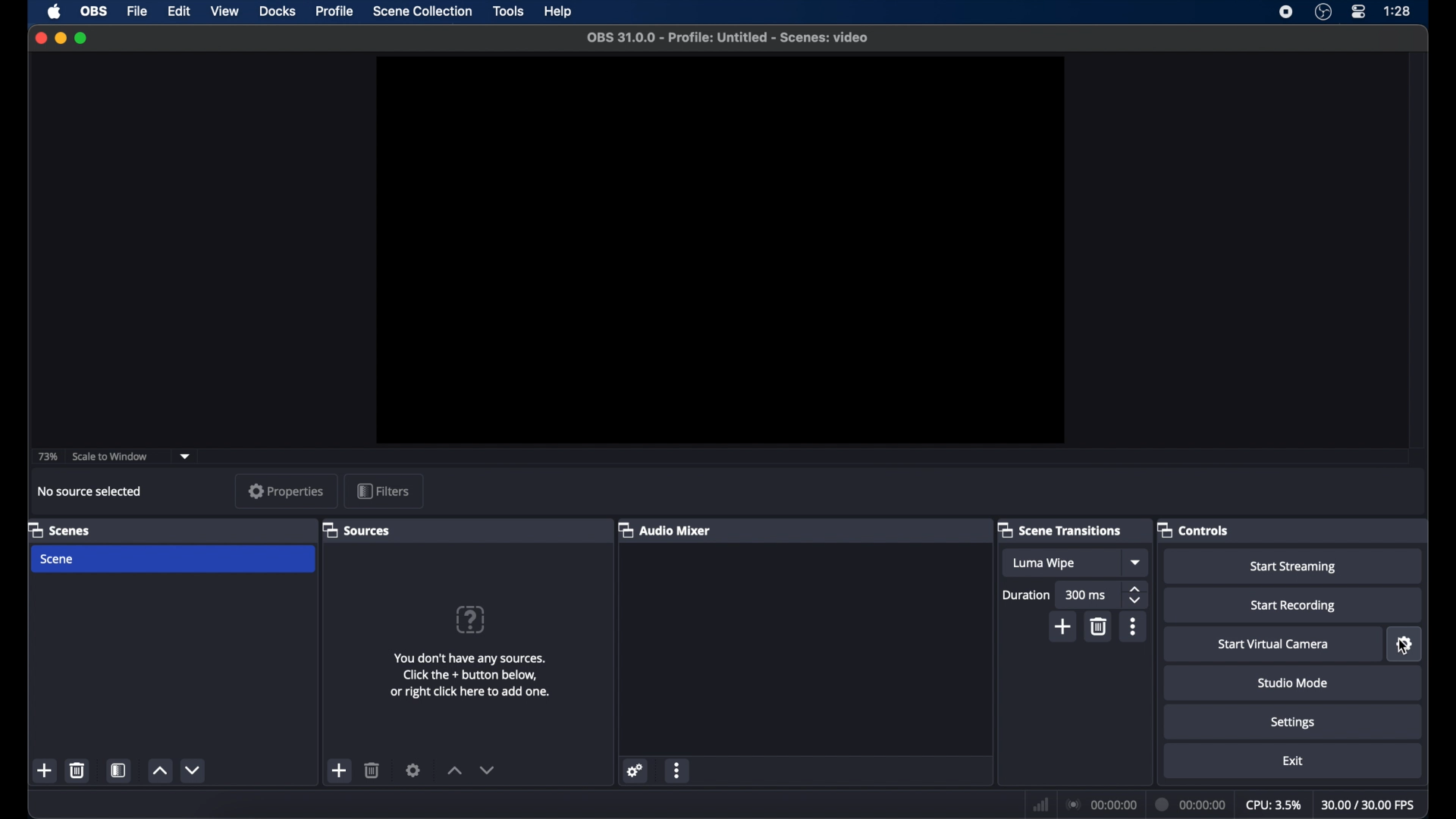  What do you see at coordinates (54, 12) in the screenshot?
I see `apple icon` at bounding box center [54, 12].